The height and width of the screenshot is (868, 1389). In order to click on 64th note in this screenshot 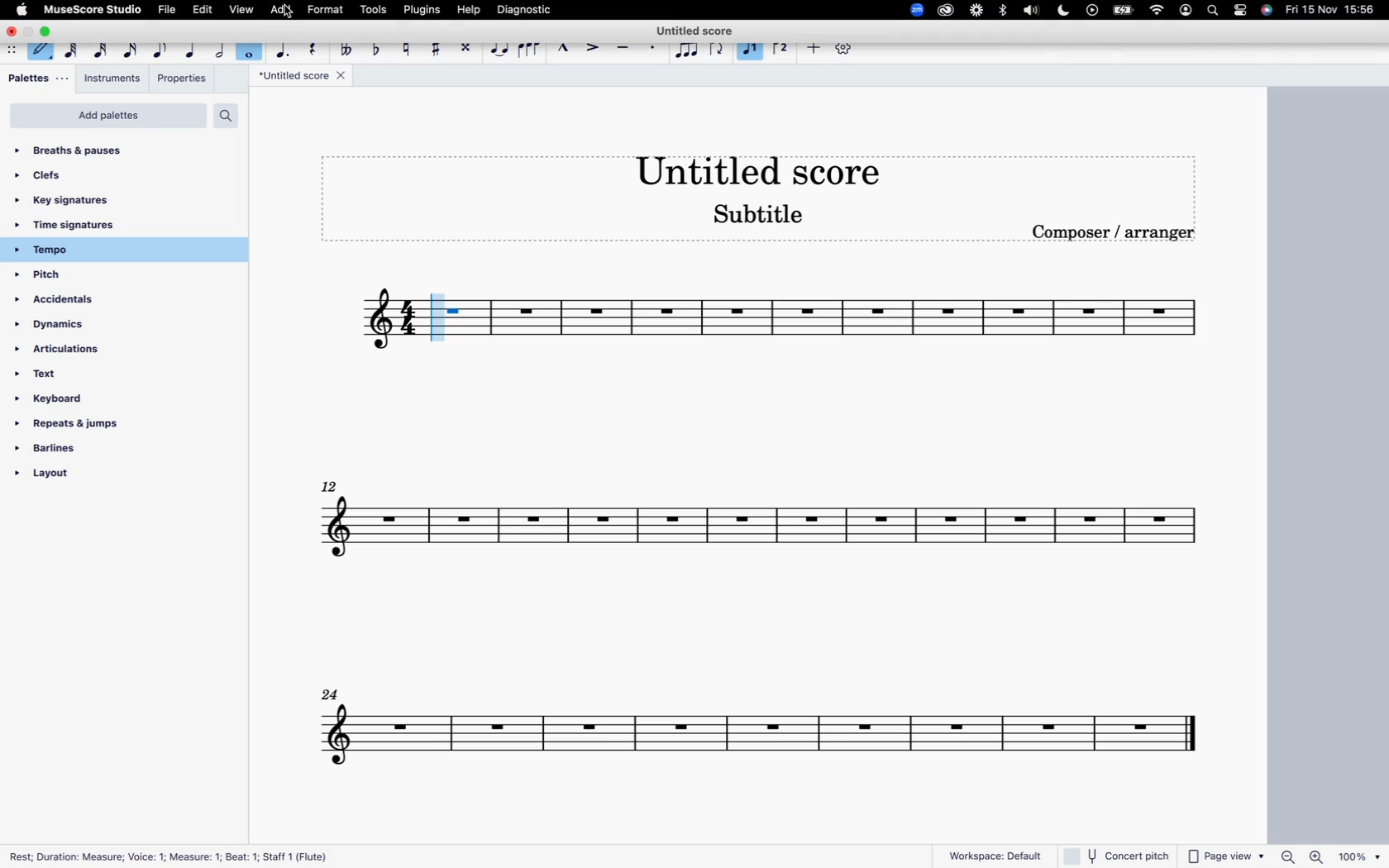, I will do `click(66, 50)`.